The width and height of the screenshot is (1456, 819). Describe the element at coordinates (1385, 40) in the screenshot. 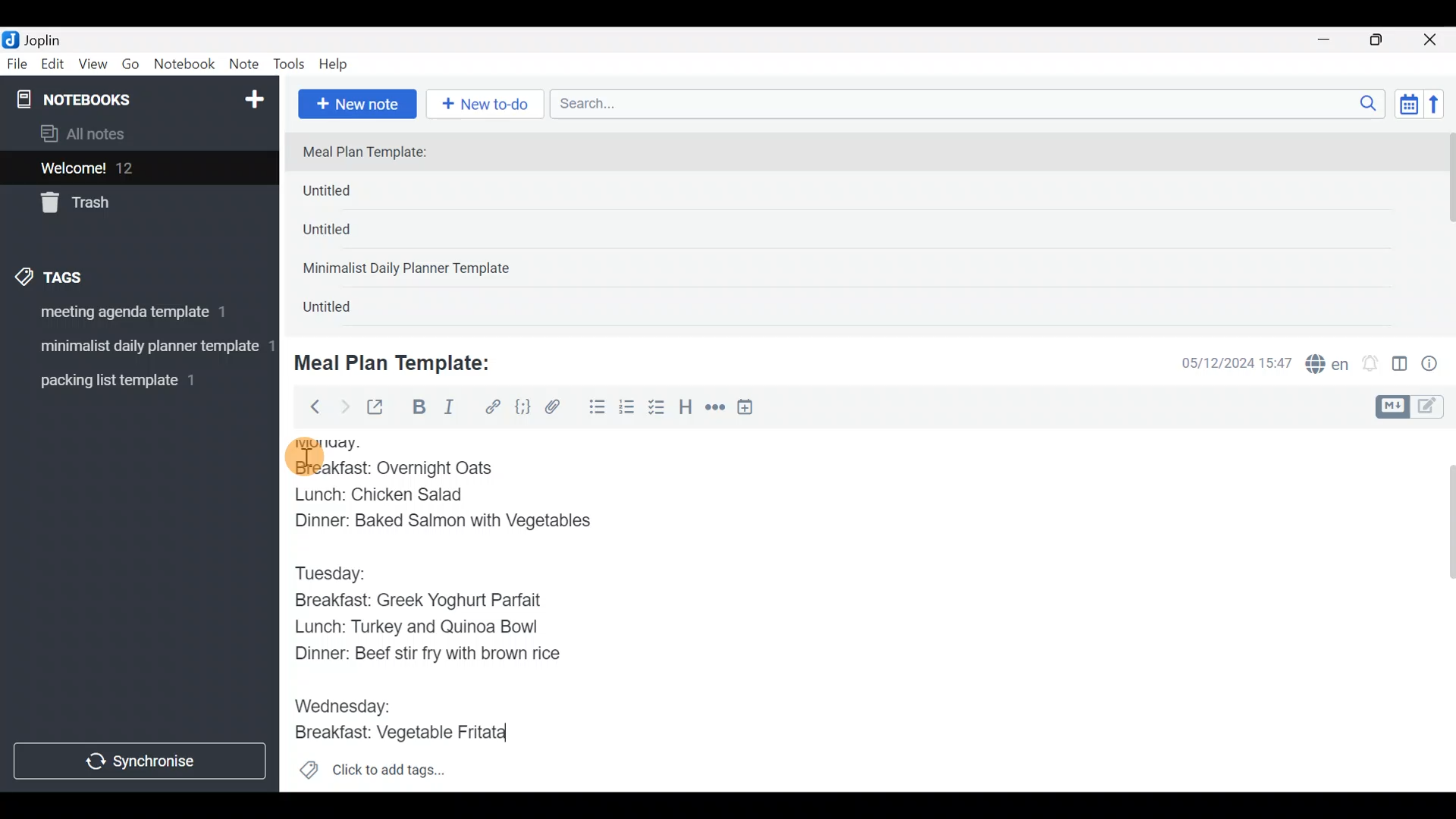

I see `Maximize` at that location.